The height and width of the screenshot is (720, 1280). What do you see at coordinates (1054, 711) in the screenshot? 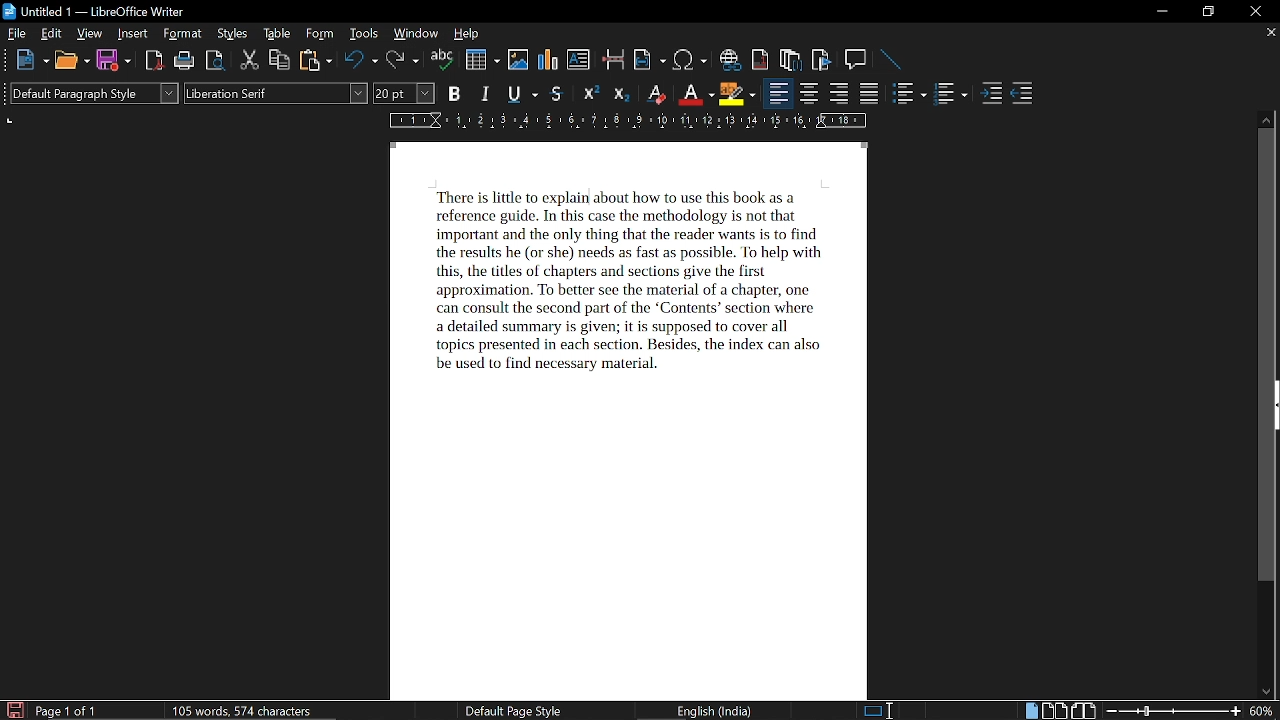
I see `multiple page view` at bounding box center [1054, 711].